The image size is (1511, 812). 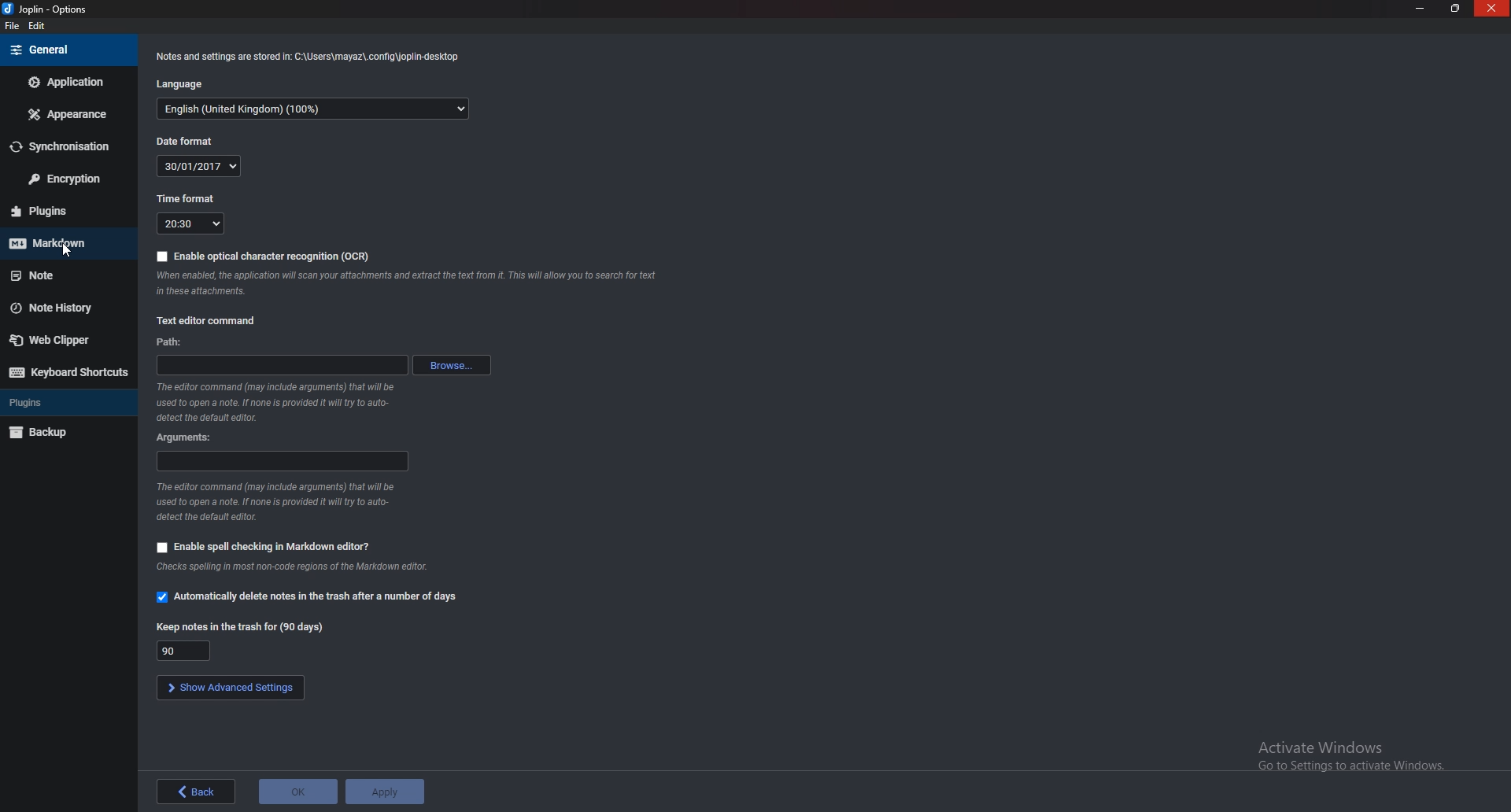 What do you see at coordinates (275, 503) in the screenshot?
I see `Info` at bounding box center [275, 503].